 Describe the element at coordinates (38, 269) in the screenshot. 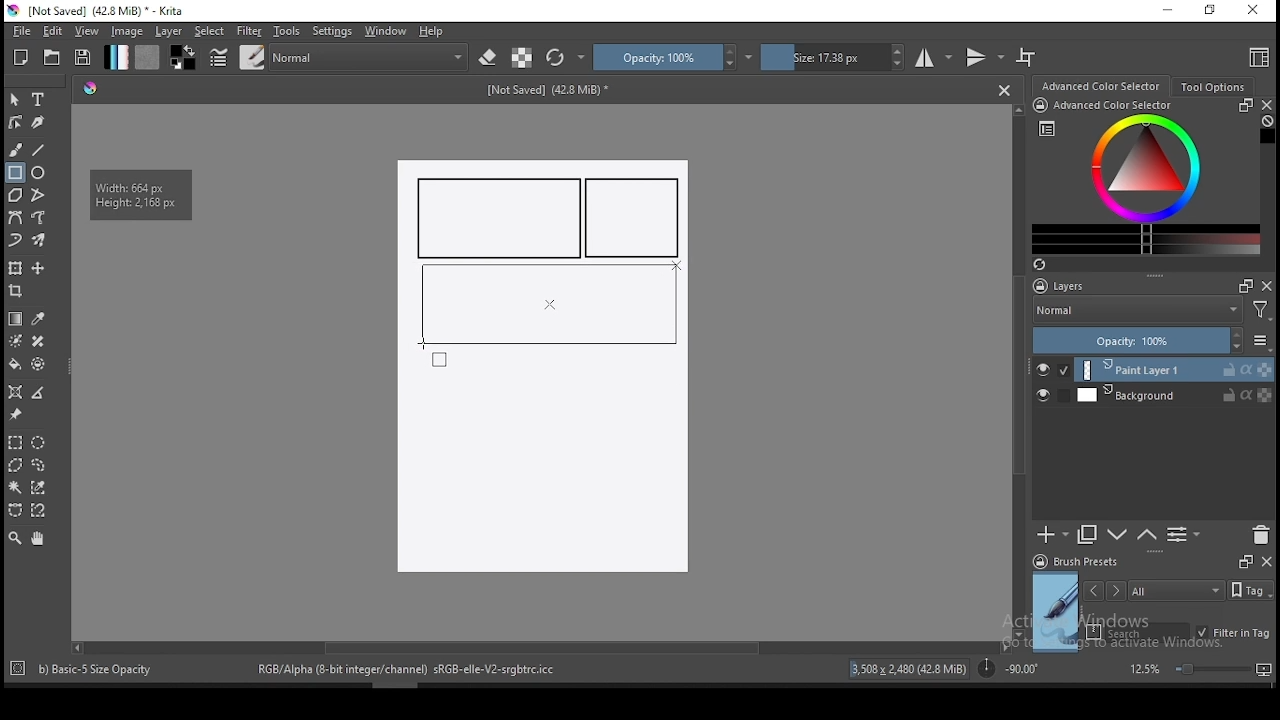

I see `move a layer` at that location.